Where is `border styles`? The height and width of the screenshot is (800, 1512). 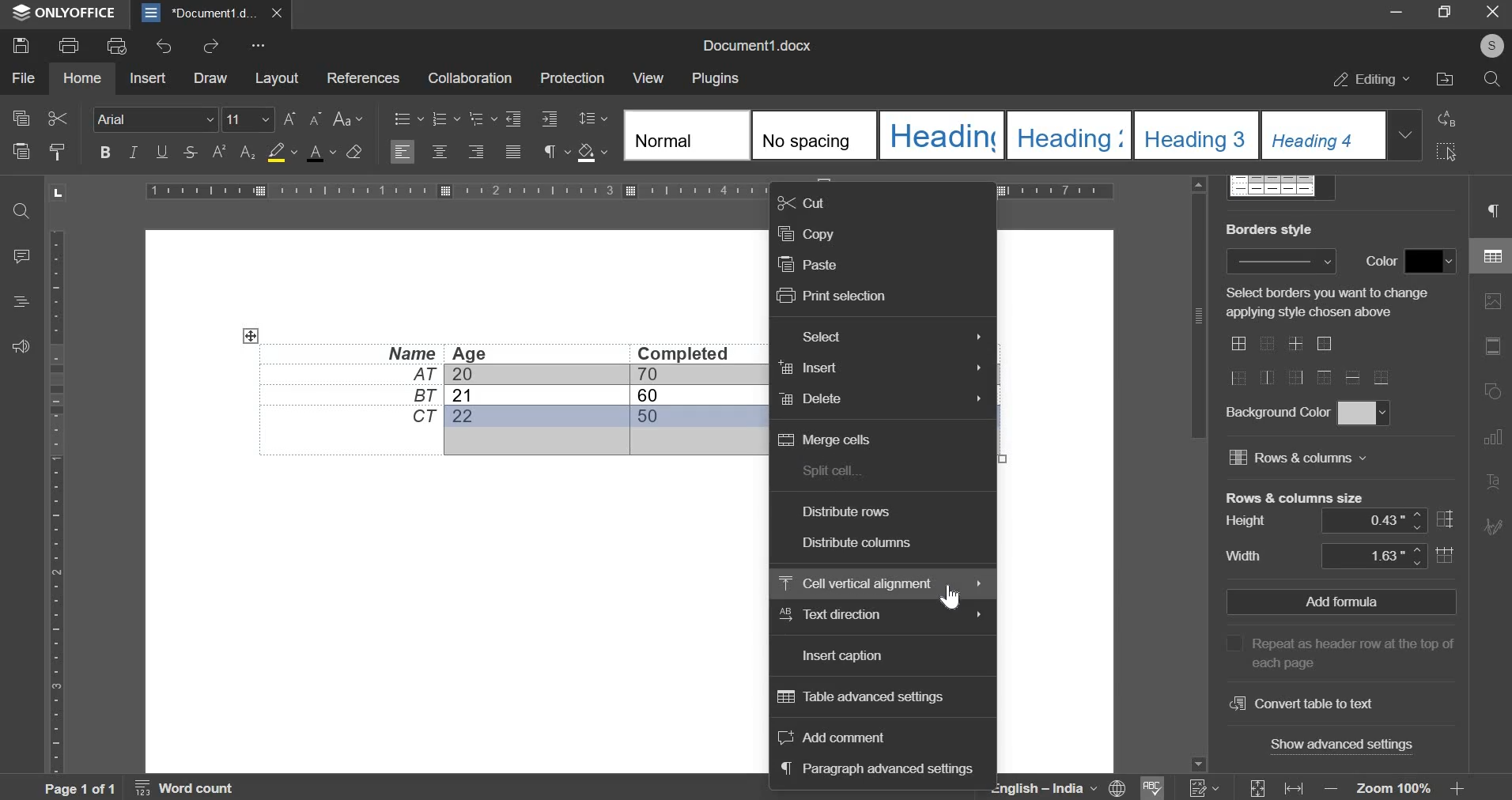 border styles is located at coordinates (1313, 364).